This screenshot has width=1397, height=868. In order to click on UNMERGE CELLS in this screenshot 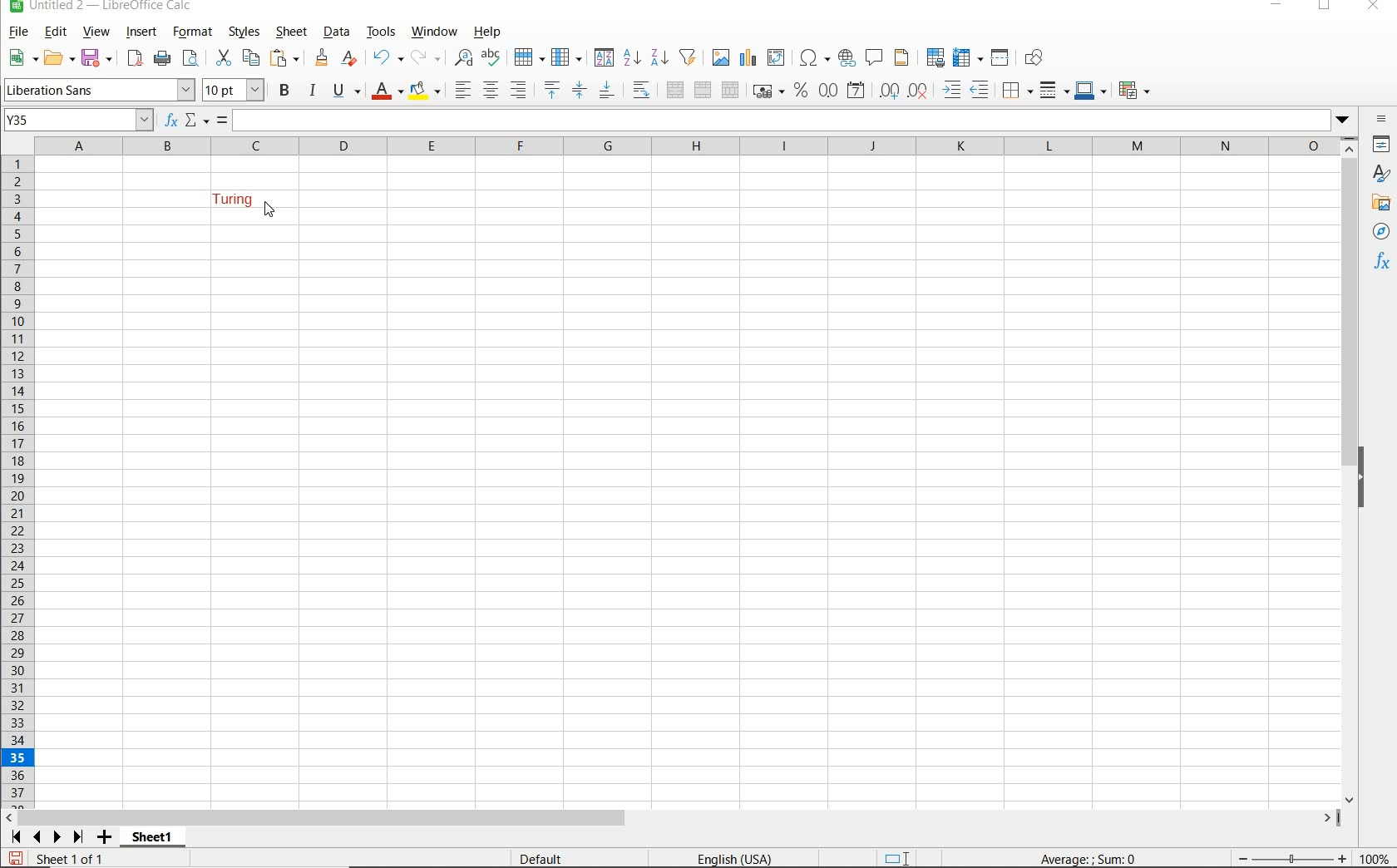, I will do `click(731, 91)`.